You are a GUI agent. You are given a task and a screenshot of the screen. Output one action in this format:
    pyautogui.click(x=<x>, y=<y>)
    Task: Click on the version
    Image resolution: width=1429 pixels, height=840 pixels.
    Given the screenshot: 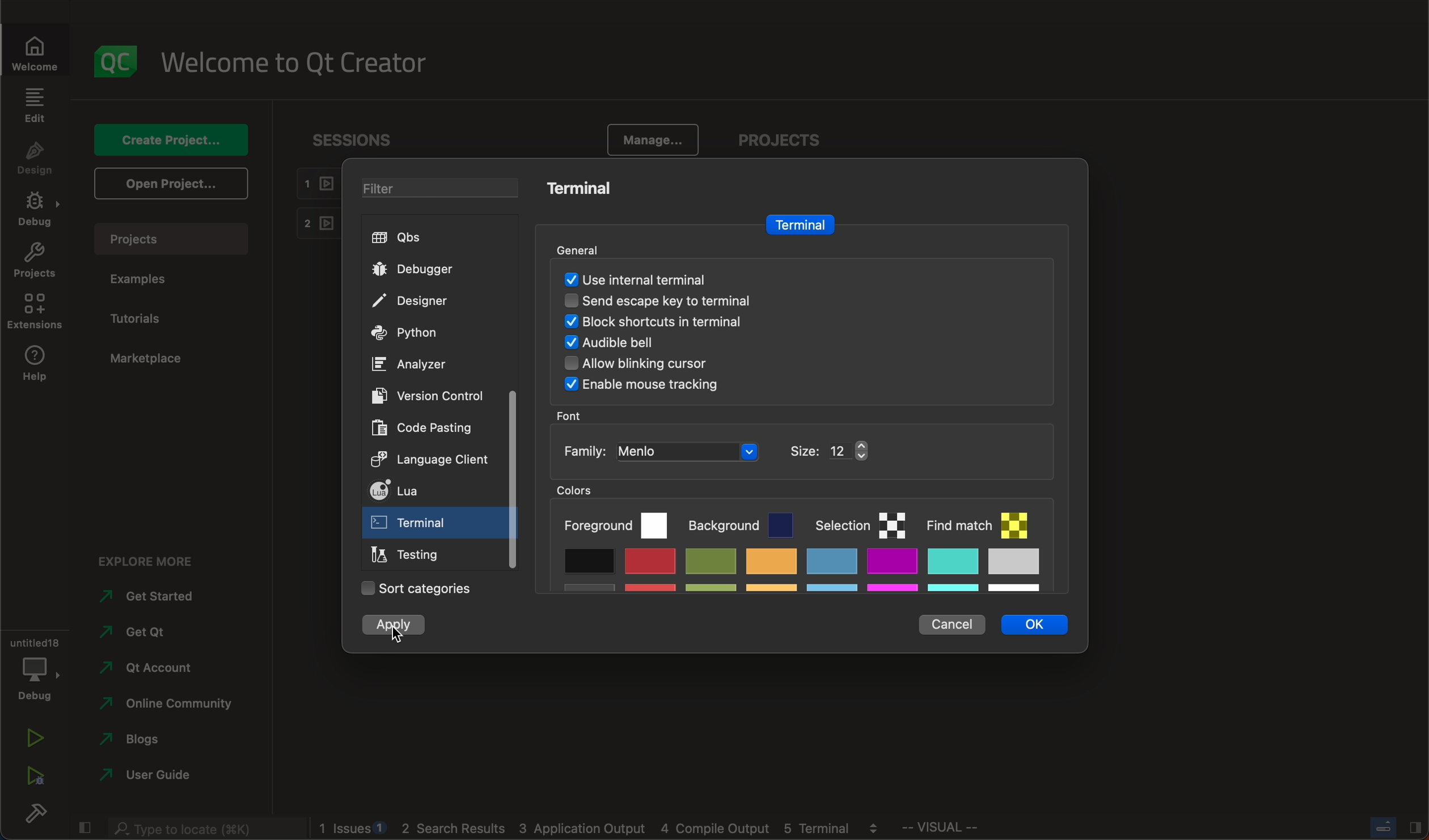 What is the action you would take?
    pyautogui.click(x=434, y=394)
    